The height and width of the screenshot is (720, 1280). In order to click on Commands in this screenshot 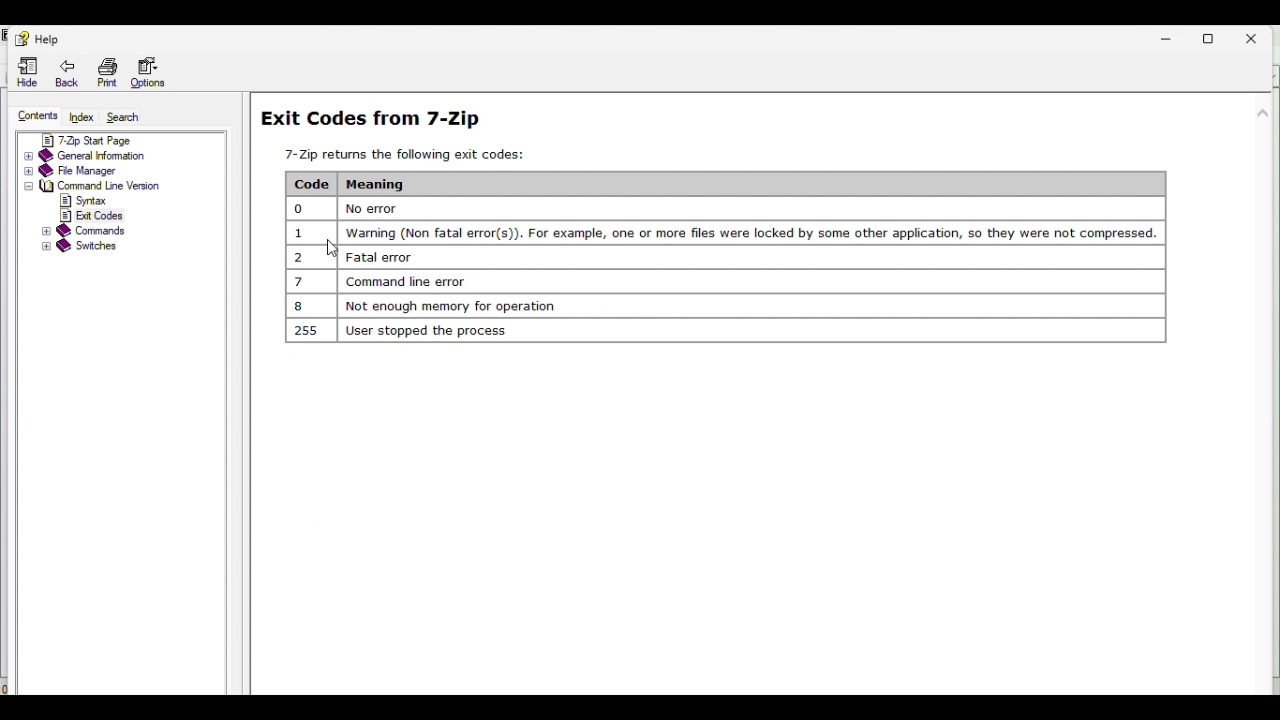, I will do `click(83, 230)`.